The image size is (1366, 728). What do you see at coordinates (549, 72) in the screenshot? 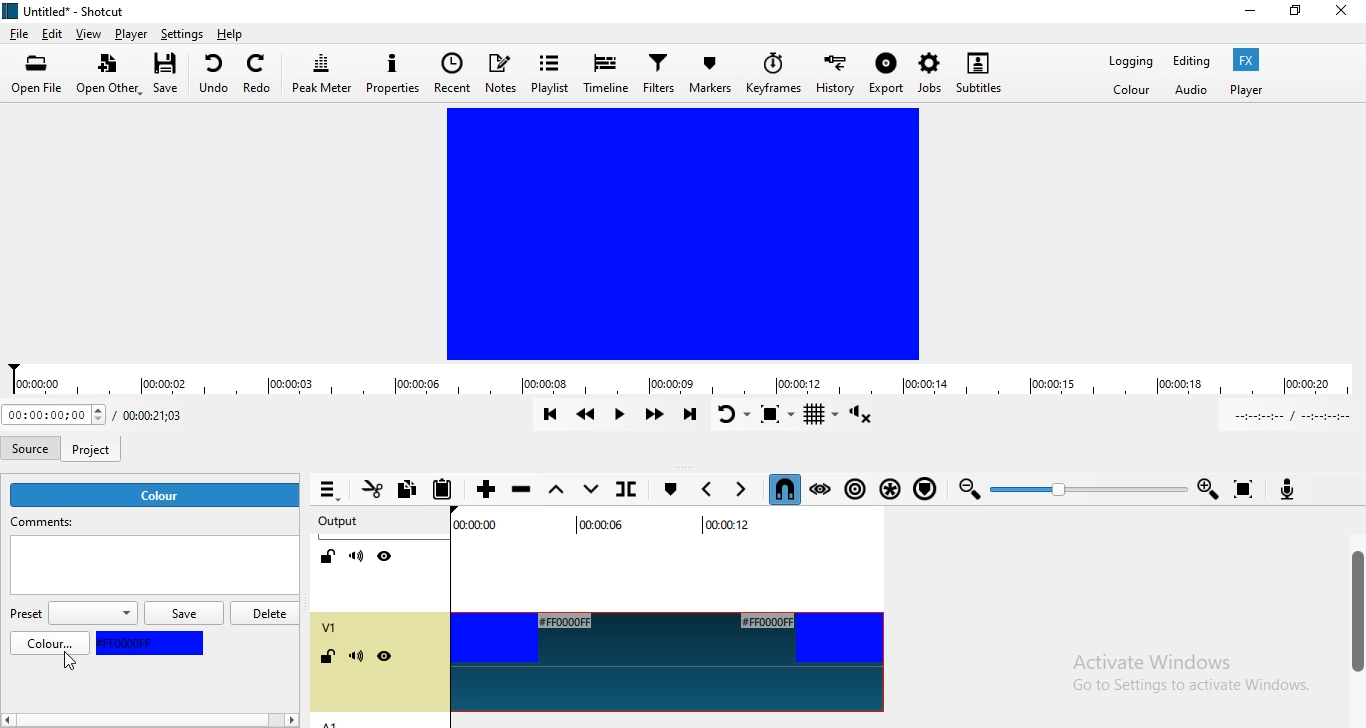
I see `Playlist` at bounding box center [549, 72].